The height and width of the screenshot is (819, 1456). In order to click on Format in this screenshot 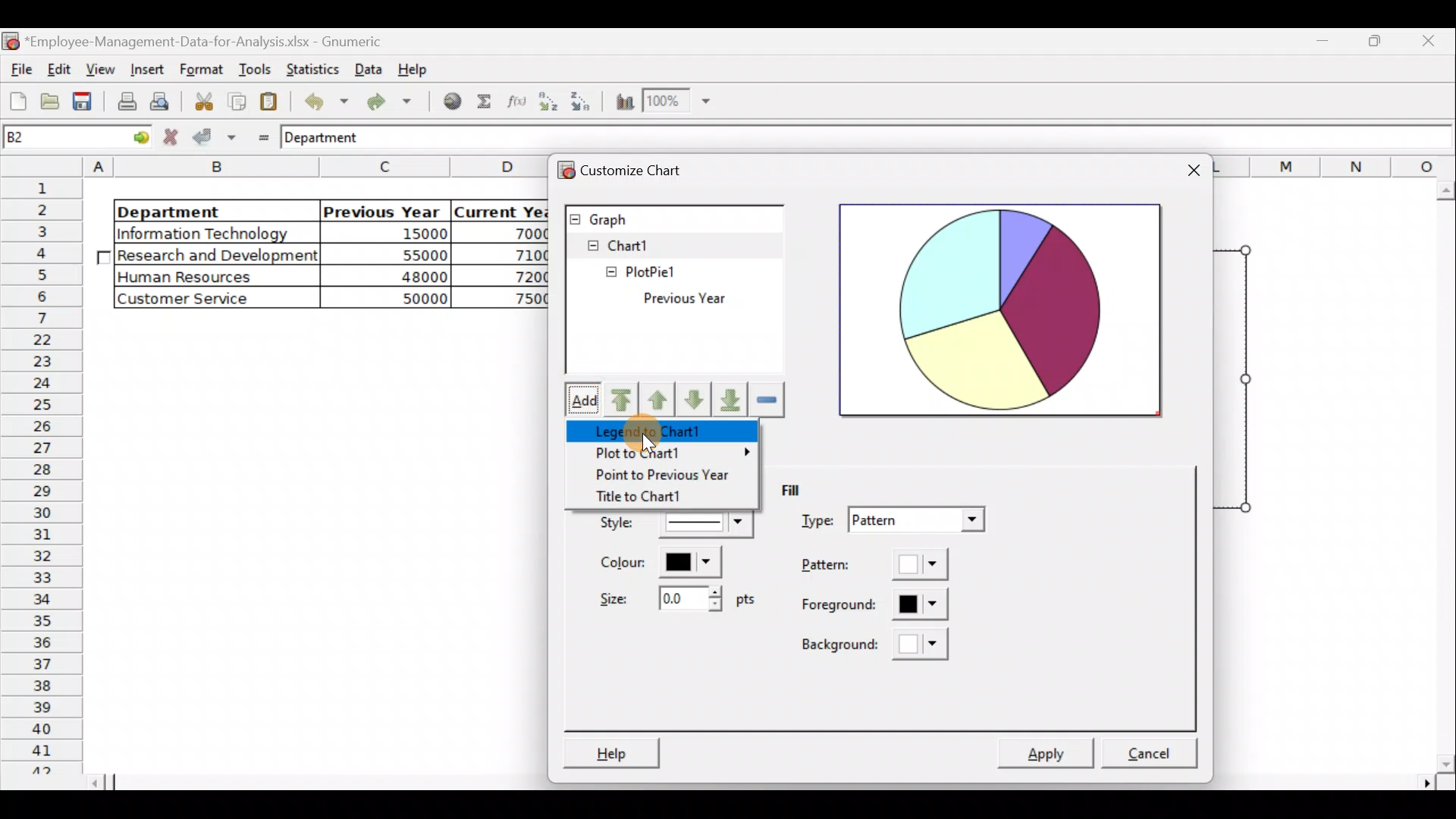, I will do `click(199, 70)`.